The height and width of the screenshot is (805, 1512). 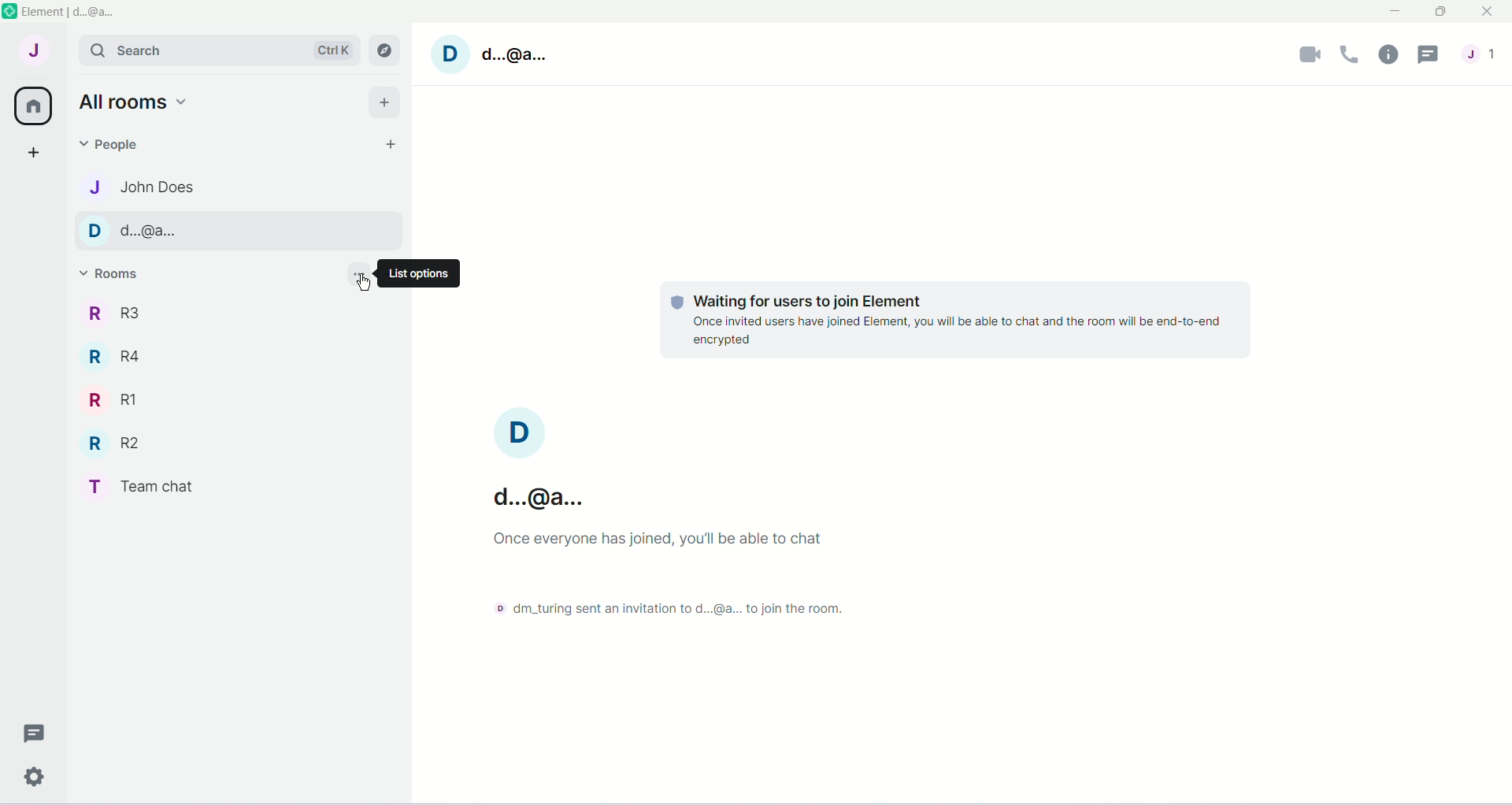 I want to click on Room Name-r3, so click(x=120, y=314).